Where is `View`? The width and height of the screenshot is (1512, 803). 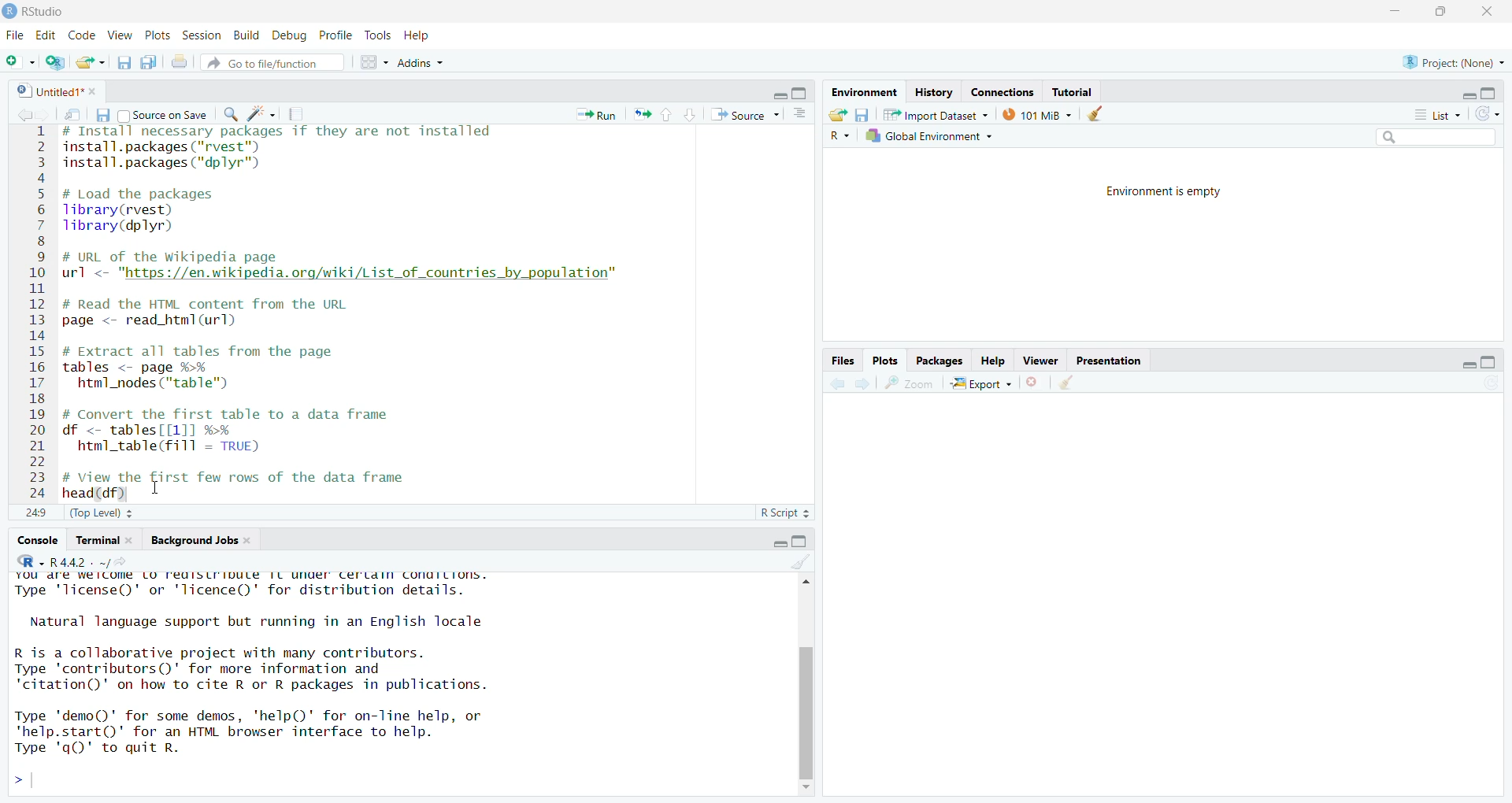
View is located at coordinates (120, 35).